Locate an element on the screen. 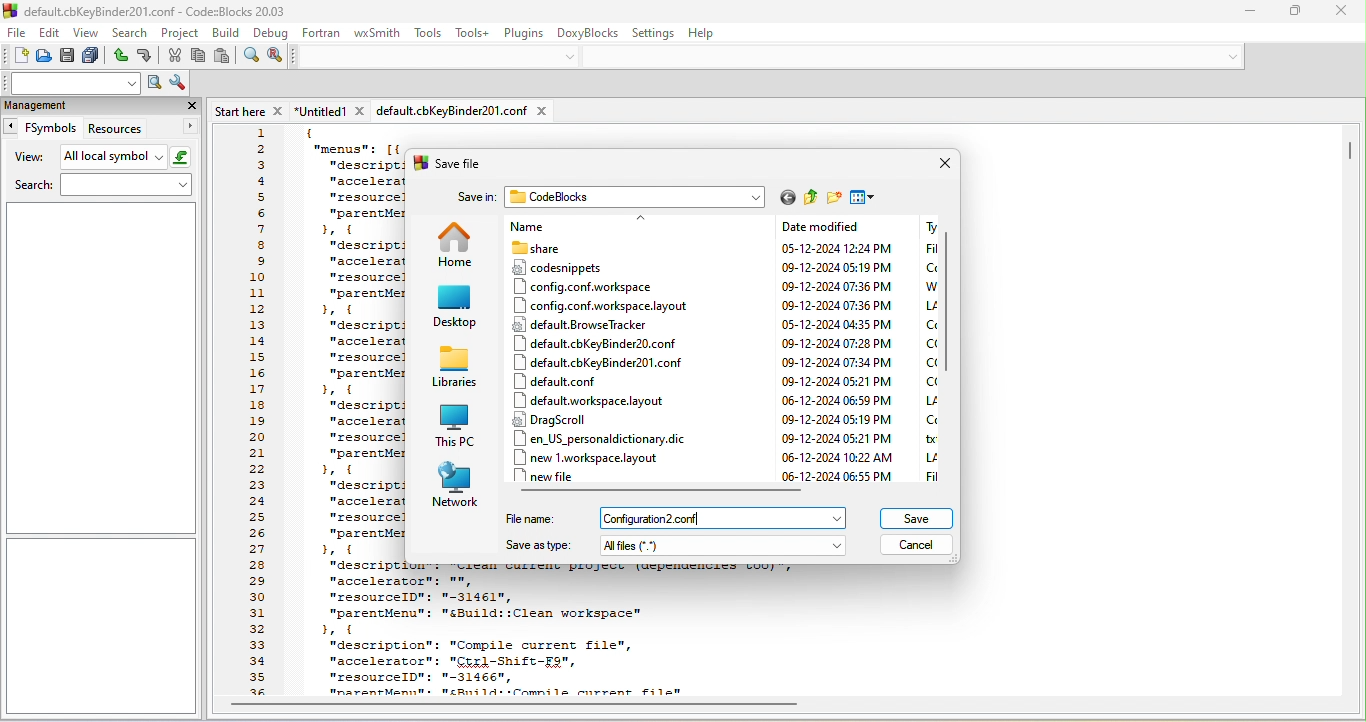 The height and width of the screenshot is (722, 1366). horizontal scroll bar is located at coordinates (514, 705).